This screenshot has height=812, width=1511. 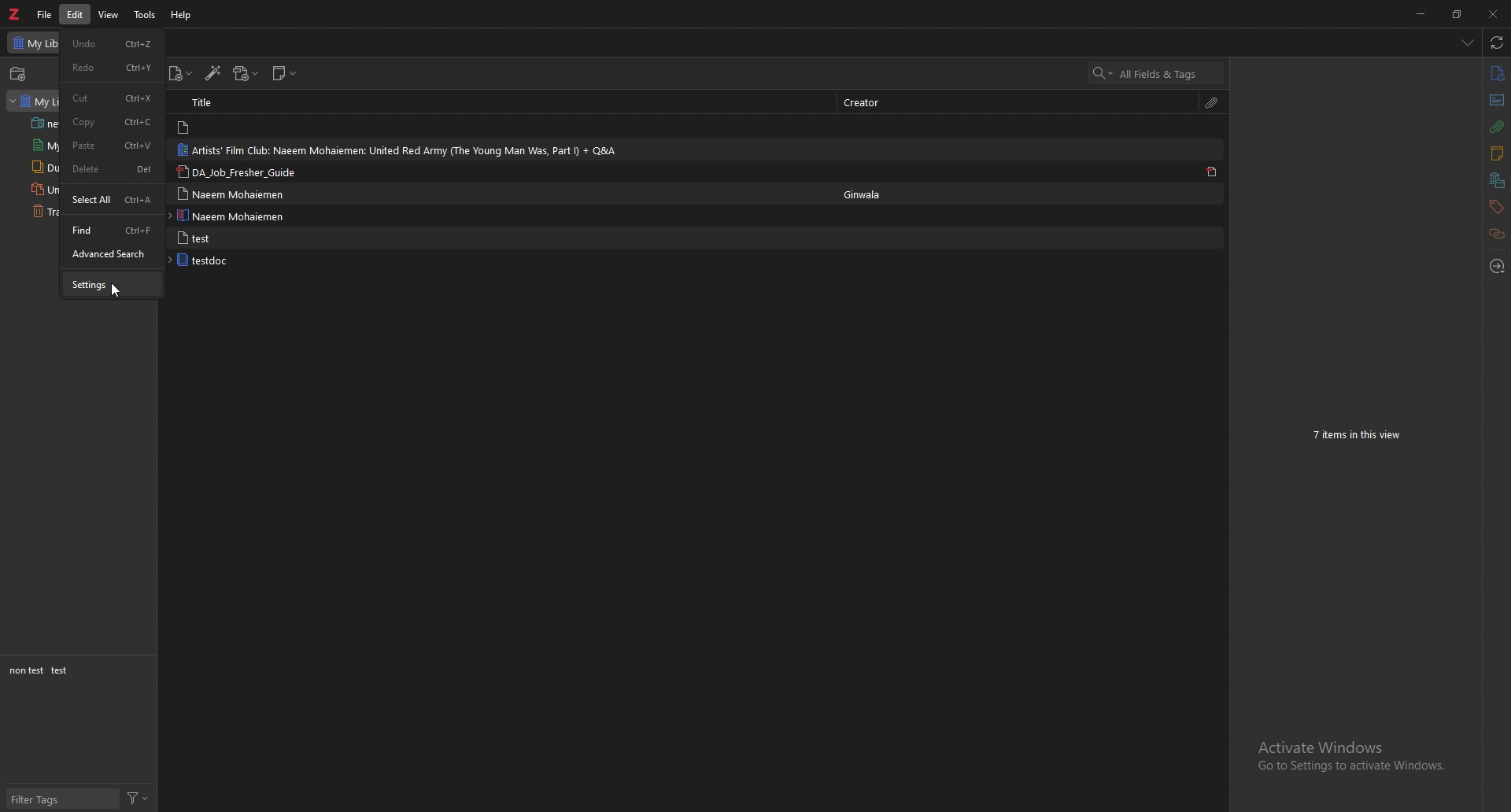 What do you see at coordinates (1498, 264) in the screenshot?
I see `locate` at bounding box center [1498, 264].